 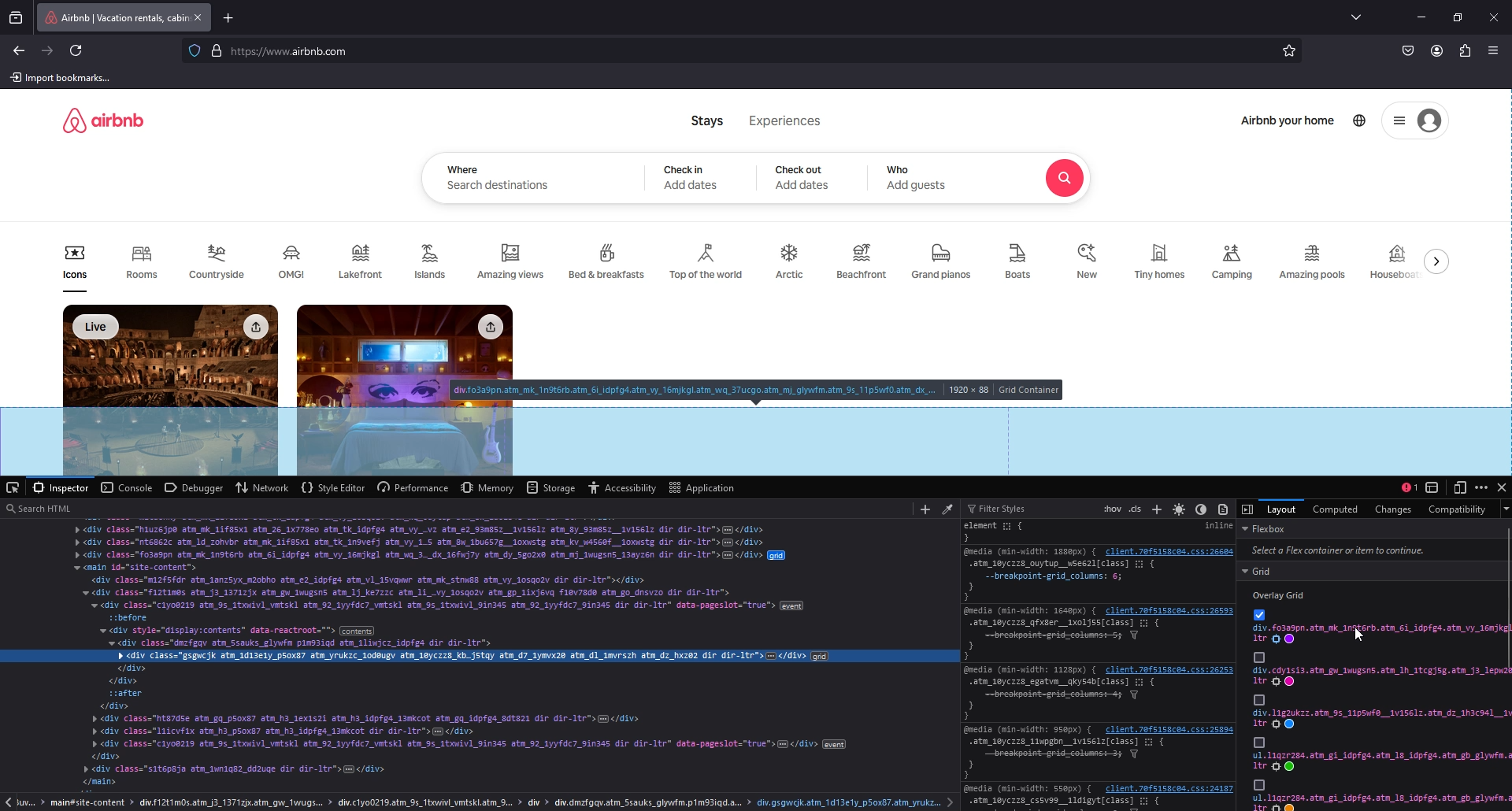 What do you see at coordinates (1495, 50) in the screenshot?
I see `application menu` at bounding box center [1495, 50].